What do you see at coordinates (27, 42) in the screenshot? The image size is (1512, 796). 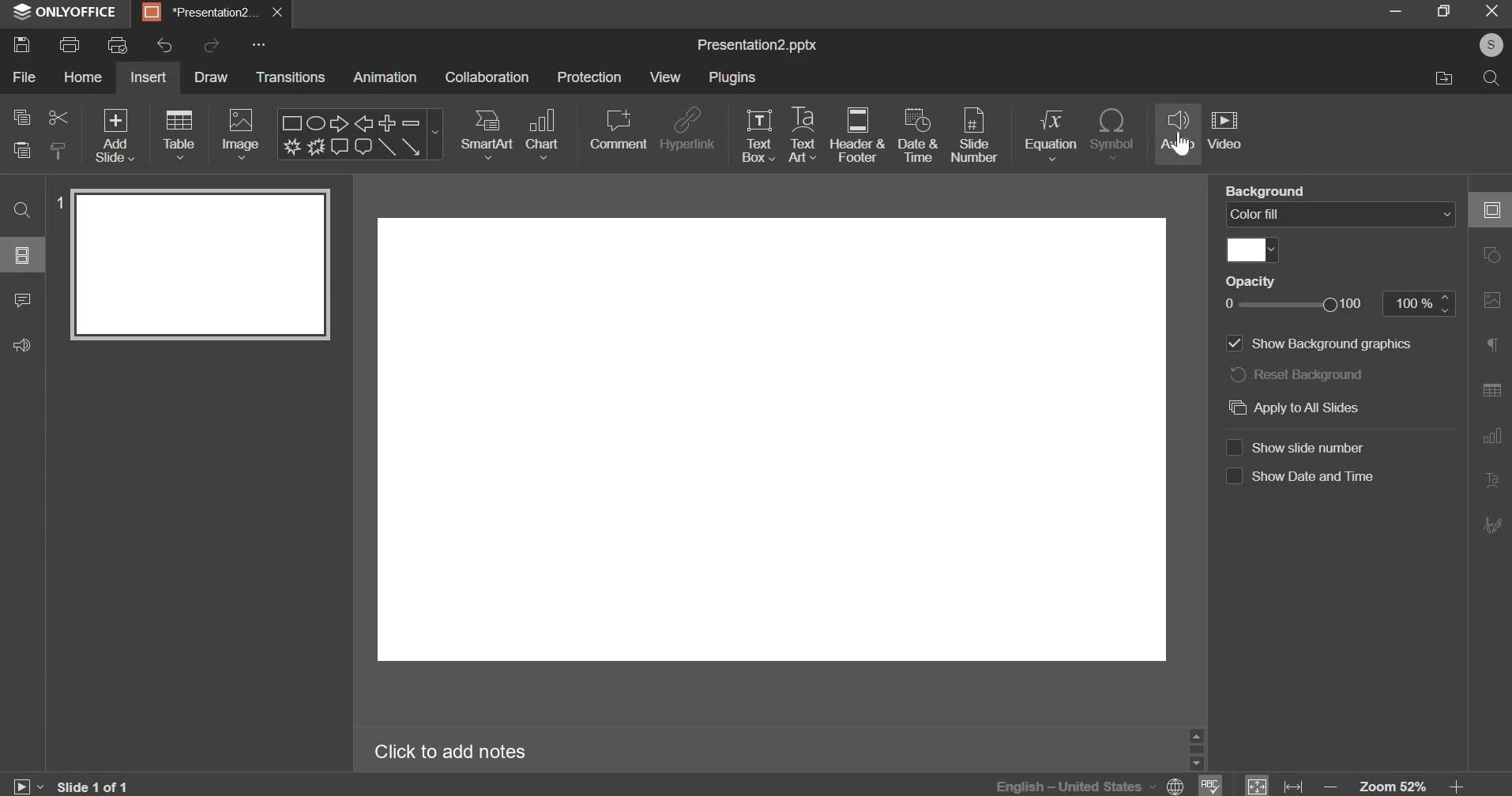 I see `save` at bounding box center [27, 42].